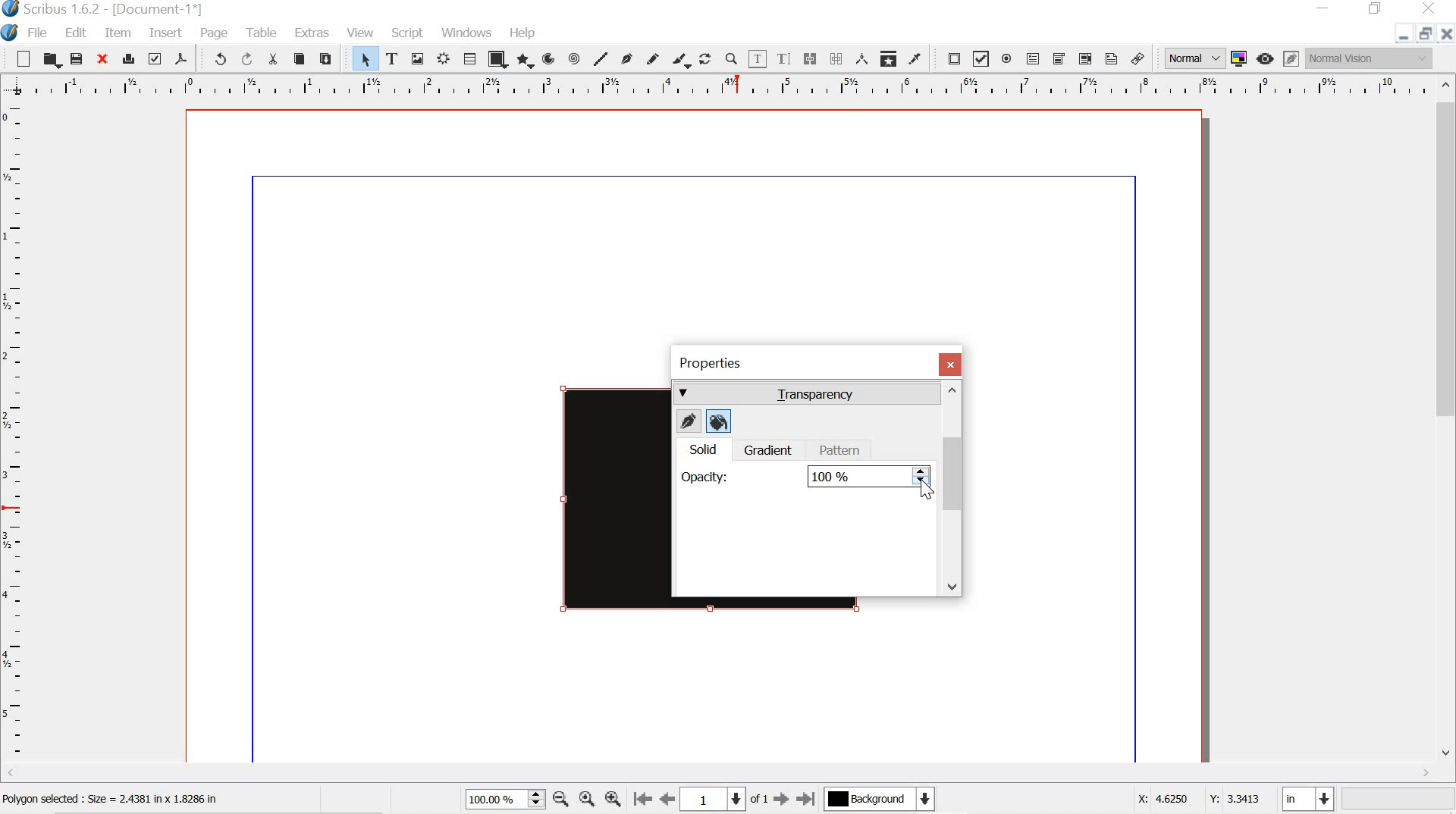 This screenshot has width=1456, height=814. I want to click on ruler, so click(14, 434).